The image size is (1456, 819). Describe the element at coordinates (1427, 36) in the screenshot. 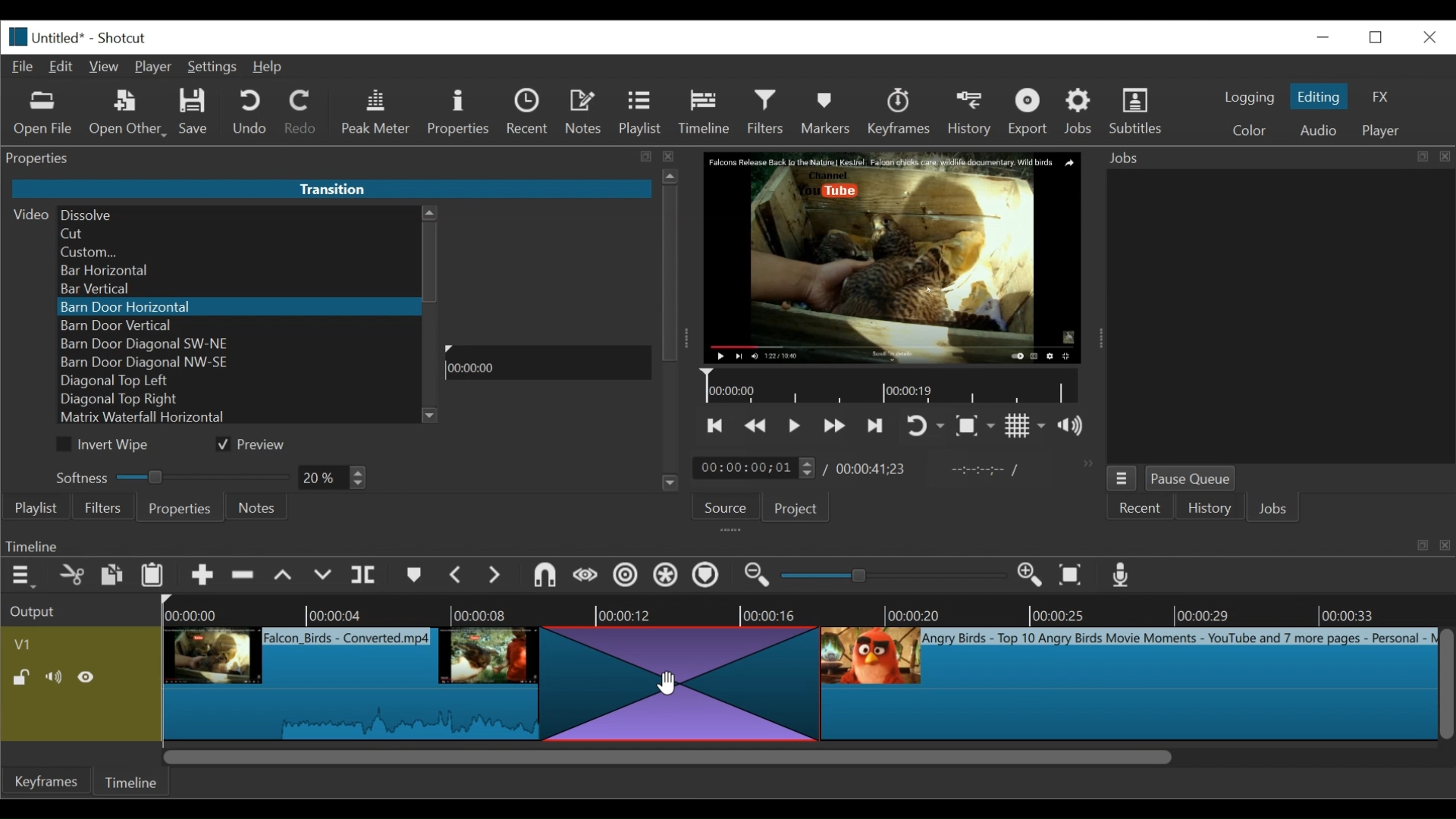

I see `Close` at that location.